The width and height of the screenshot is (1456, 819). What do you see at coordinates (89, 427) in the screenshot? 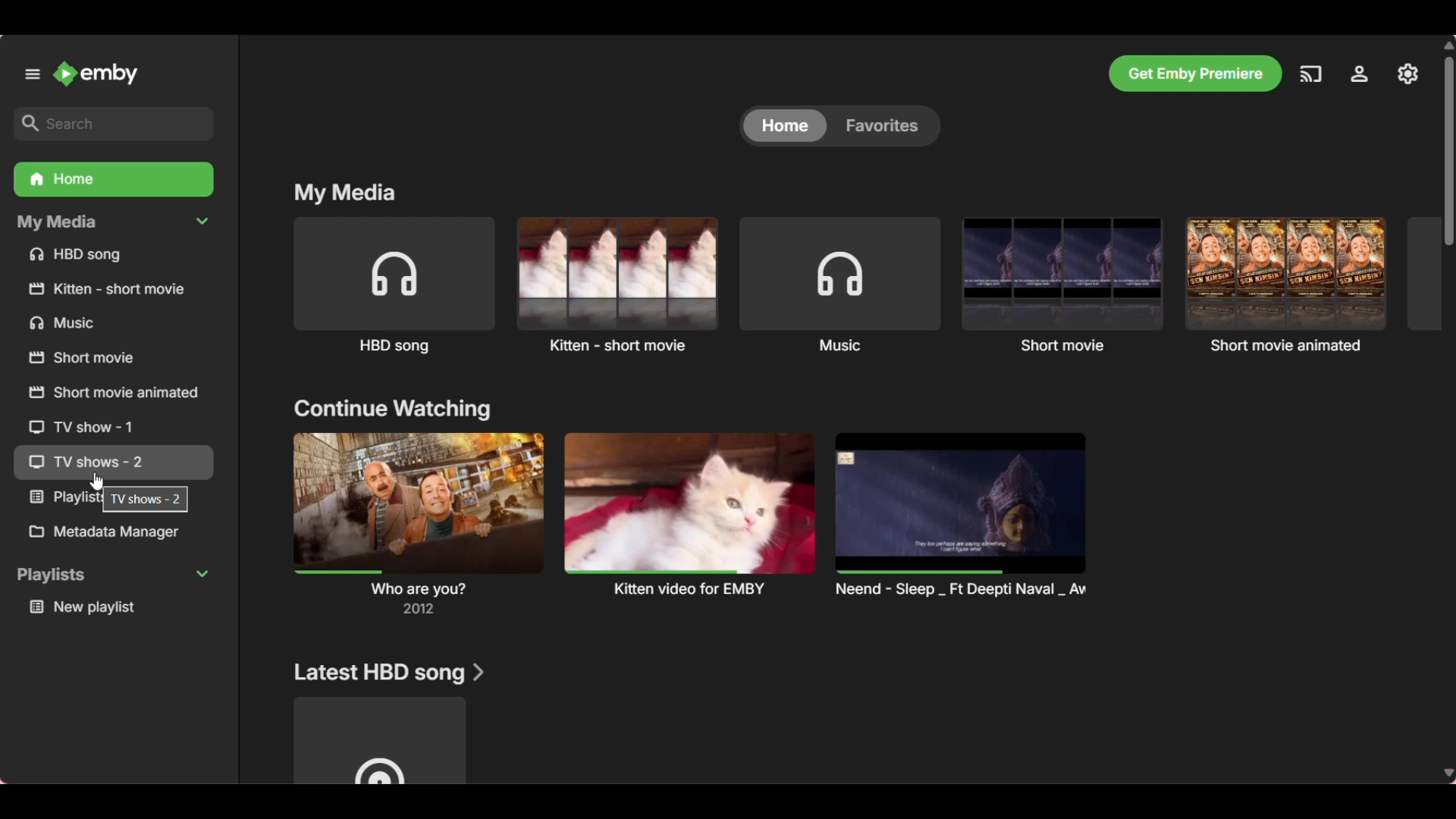
I see `` at bounding box center [89, 427].